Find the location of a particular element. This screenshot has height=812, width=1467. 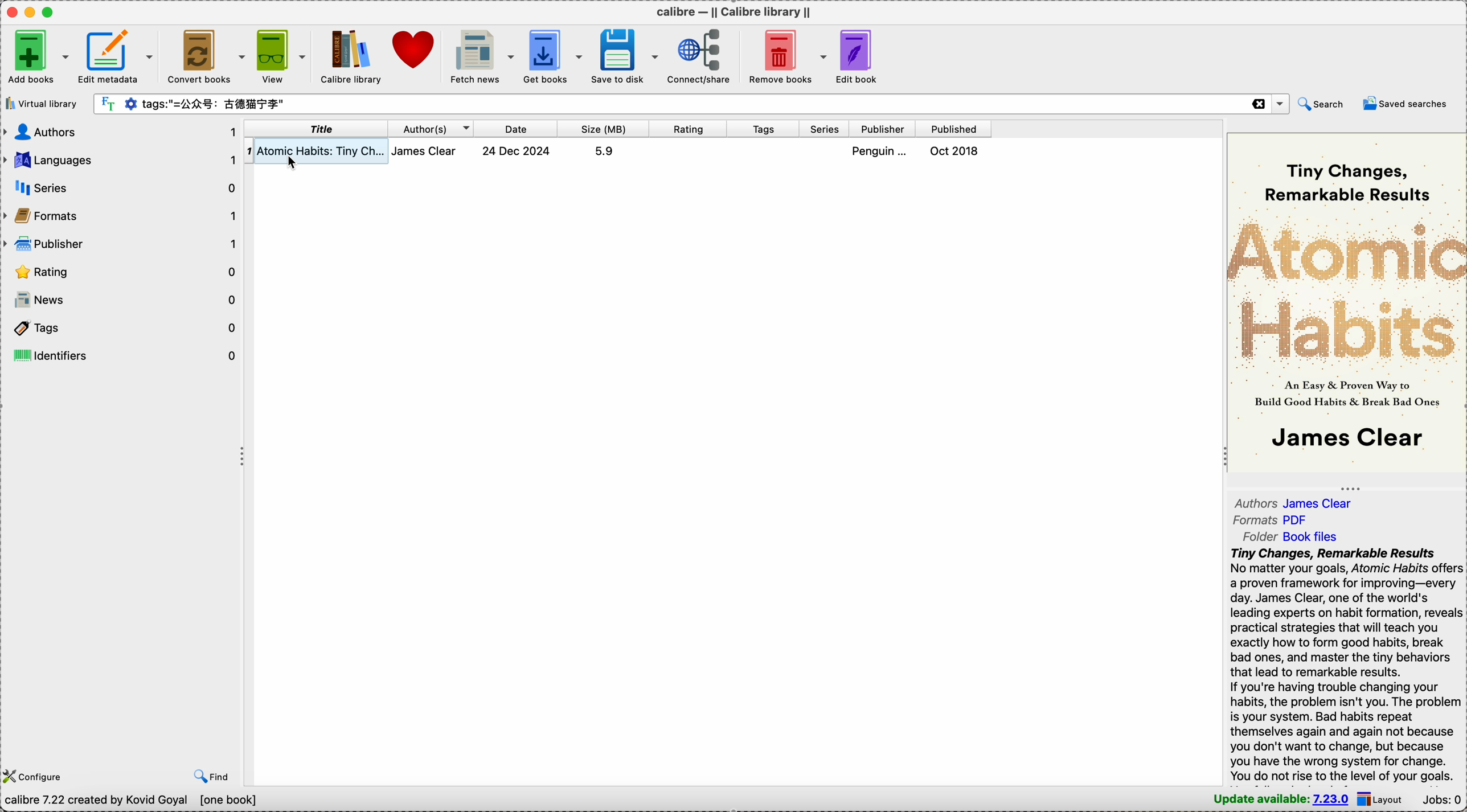

synopsis is located at coordinates (1346, 665).